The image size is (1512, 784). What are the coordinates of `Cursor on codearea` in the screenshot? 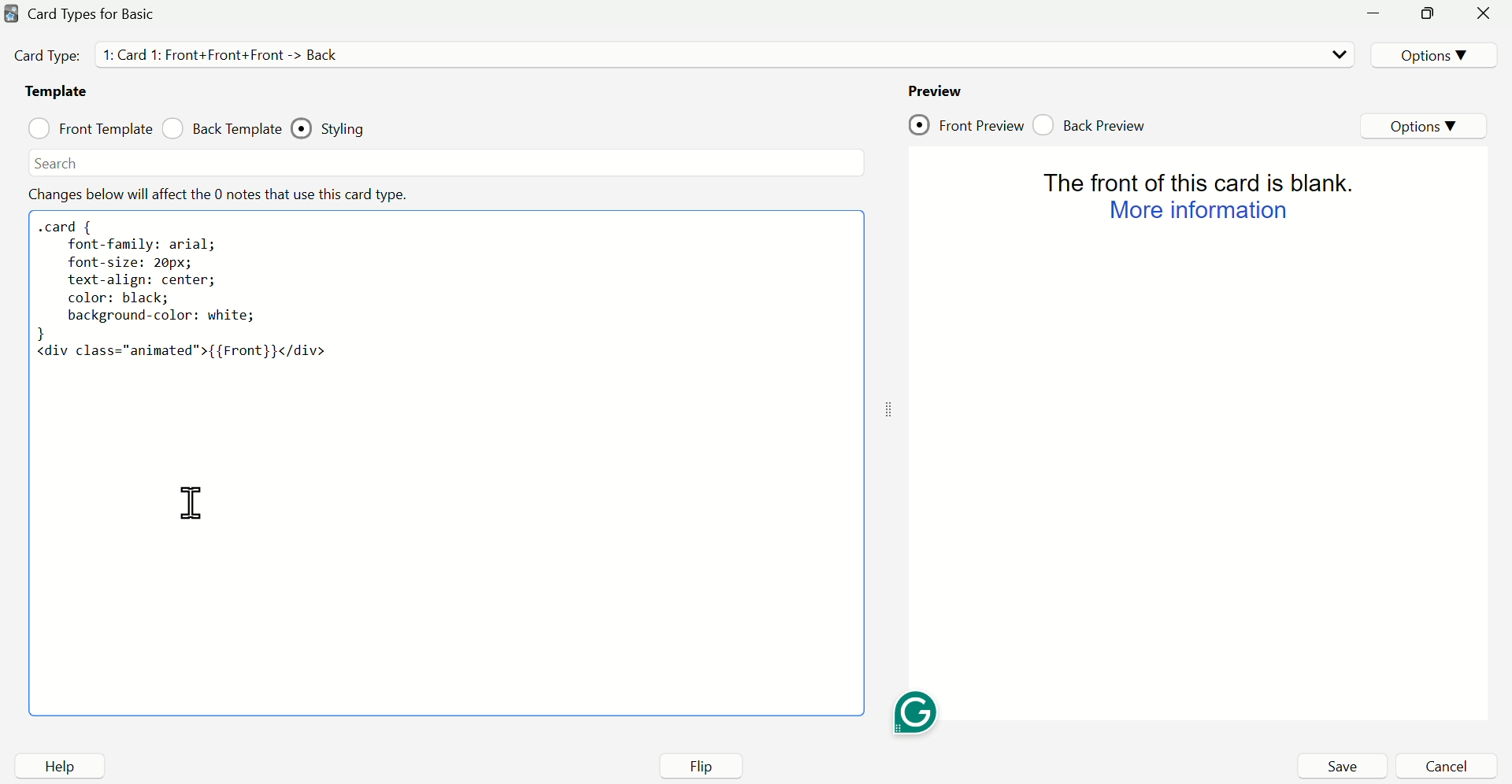 It's located at (193, 501).